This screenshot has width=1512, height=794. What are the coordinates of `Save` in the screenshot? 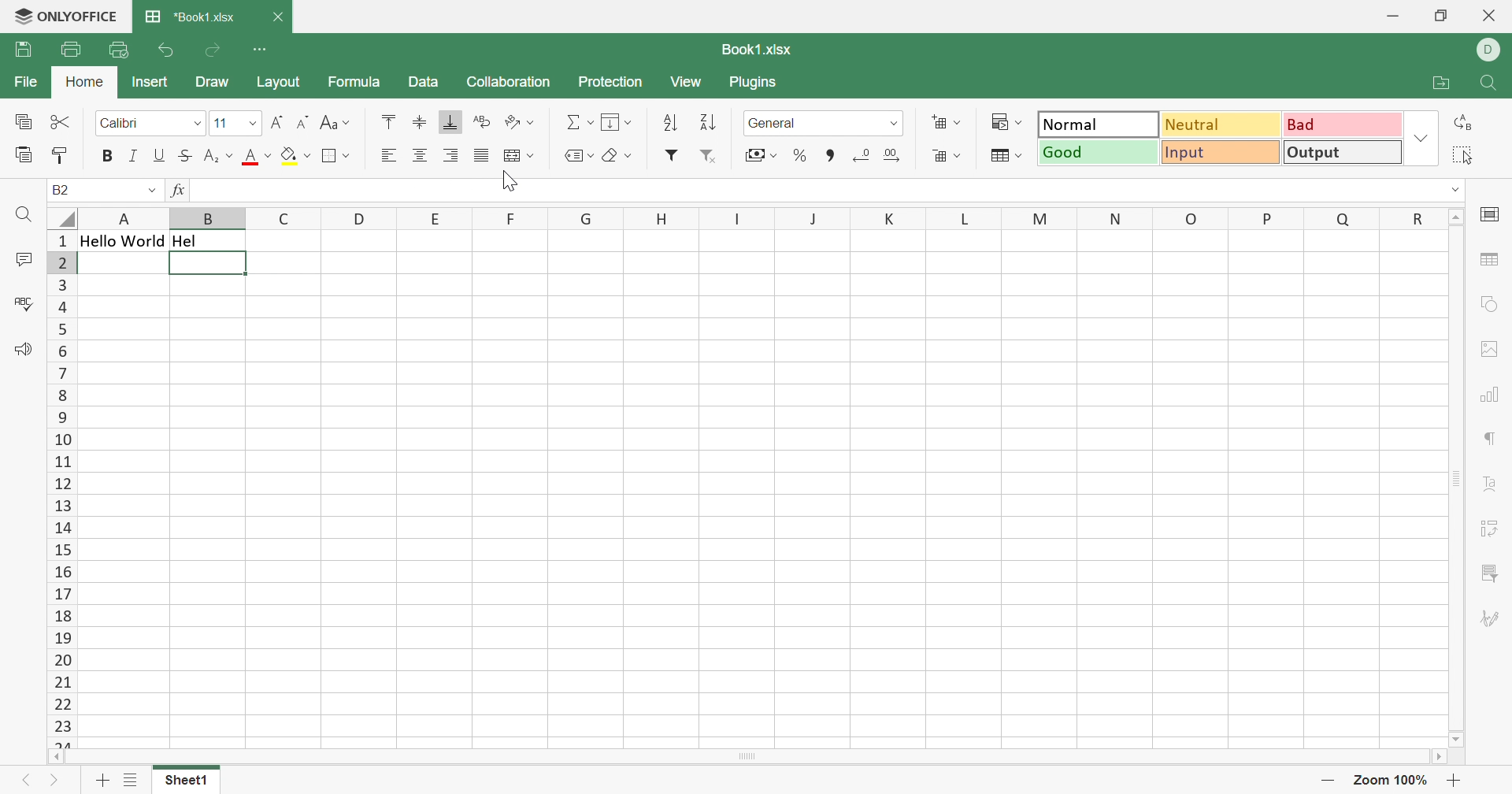 It's located at (24, 49).